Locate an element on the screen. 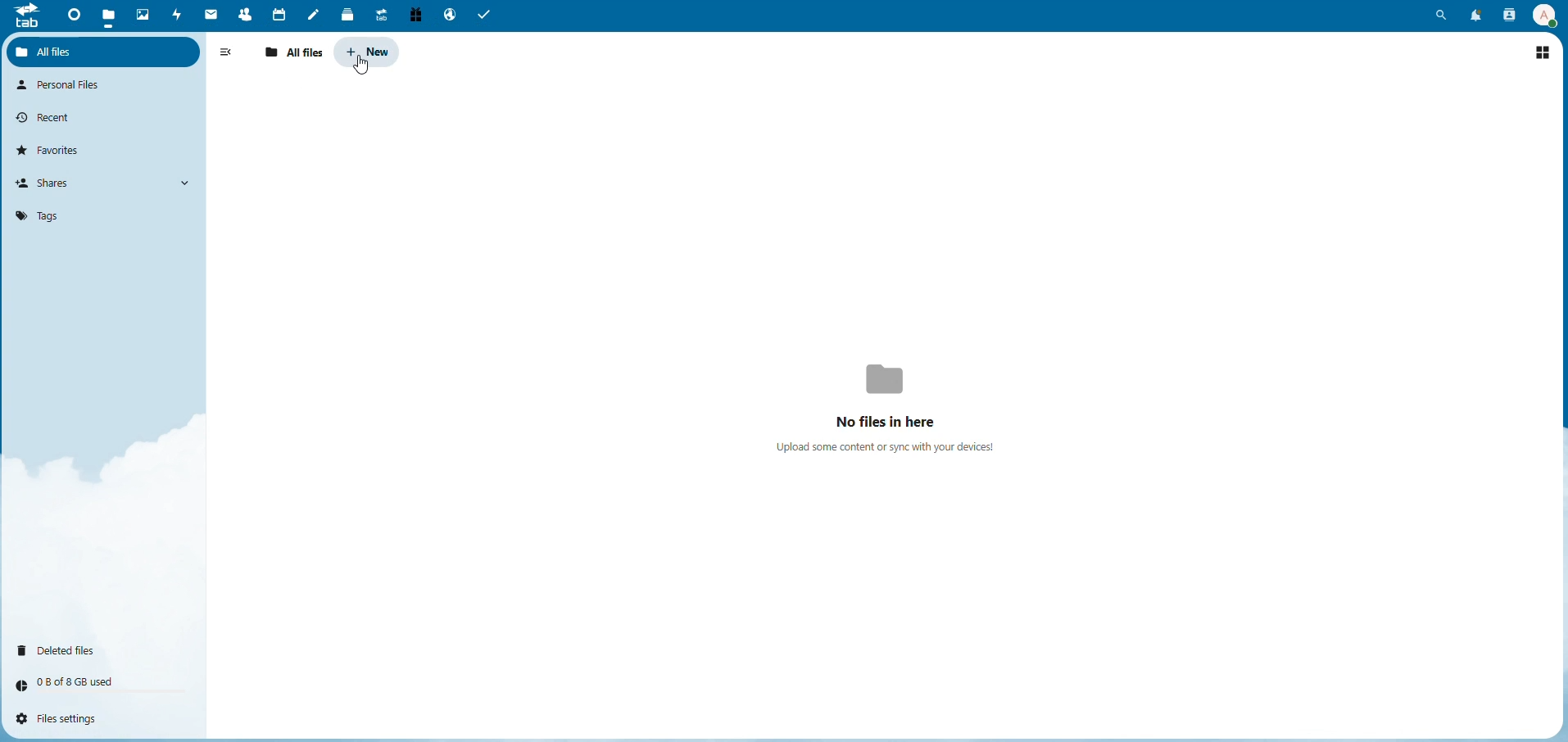 The width and height of the screenshot is (1568, 742). All Files is located at coordinates (296, 52).